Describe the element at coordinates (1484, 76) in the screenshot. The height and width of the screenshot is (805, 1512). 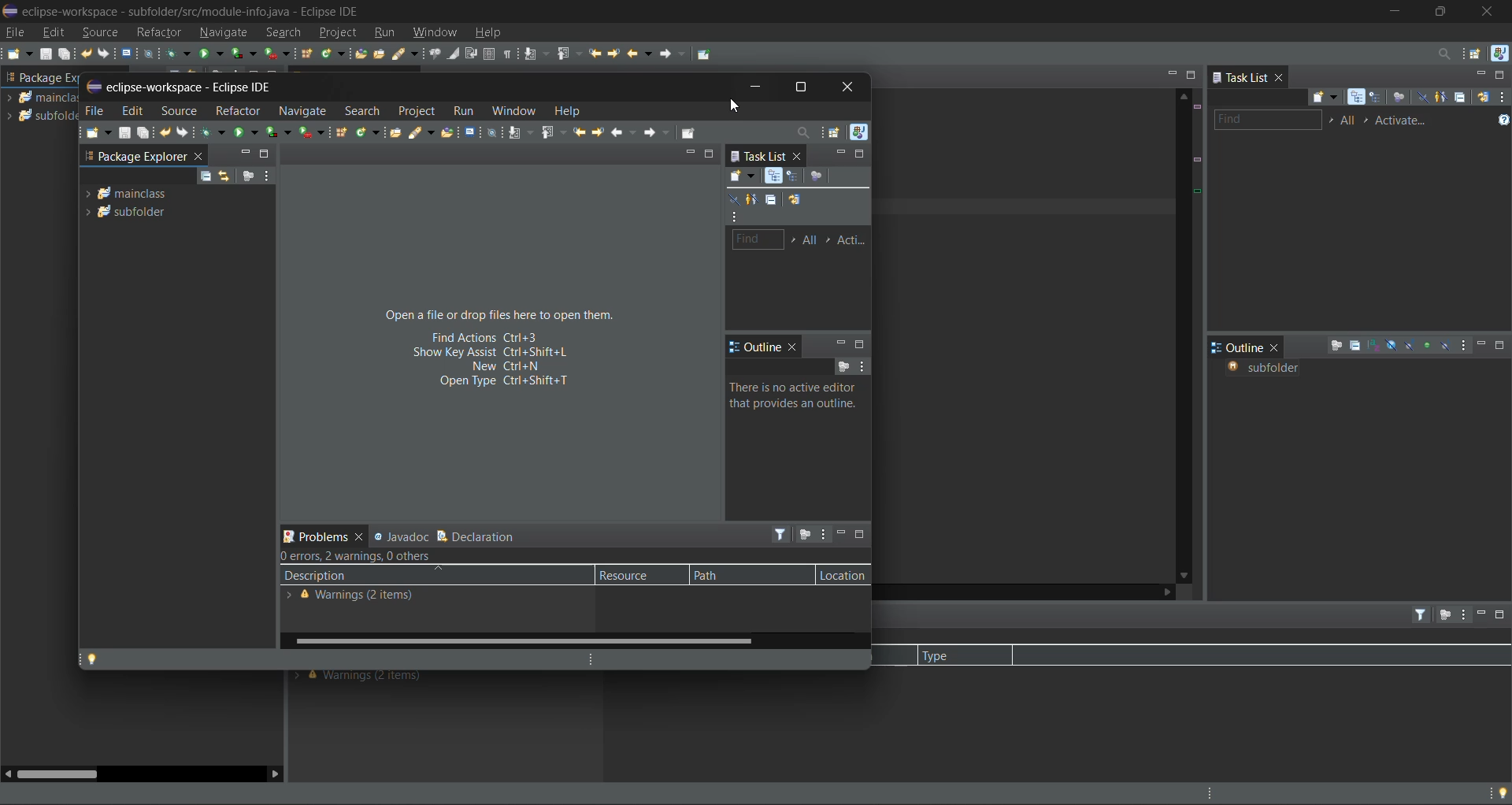
I see `minimize` at that location.